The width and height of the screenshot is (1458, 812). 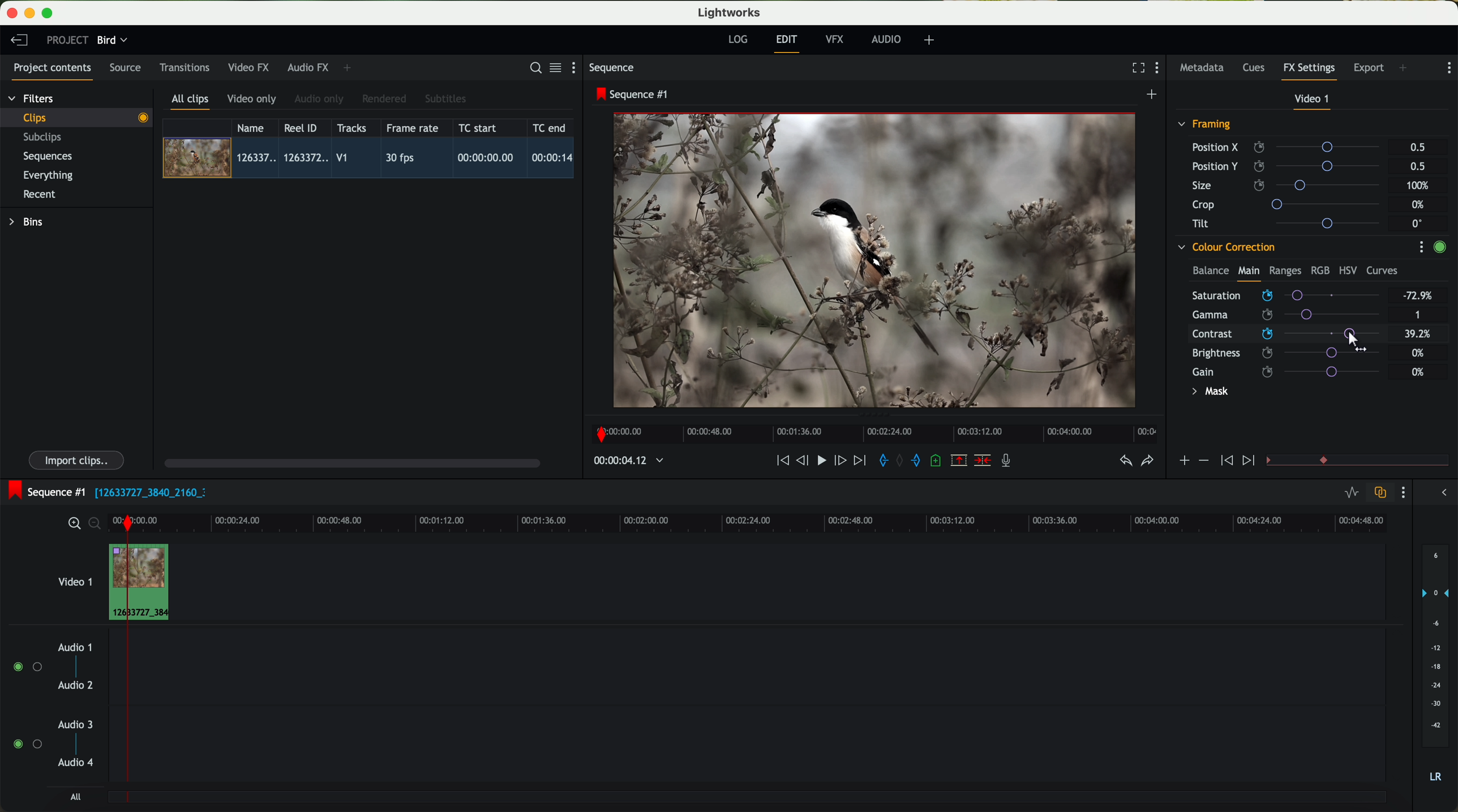 I want to click on log, so click(x=737, y=40).